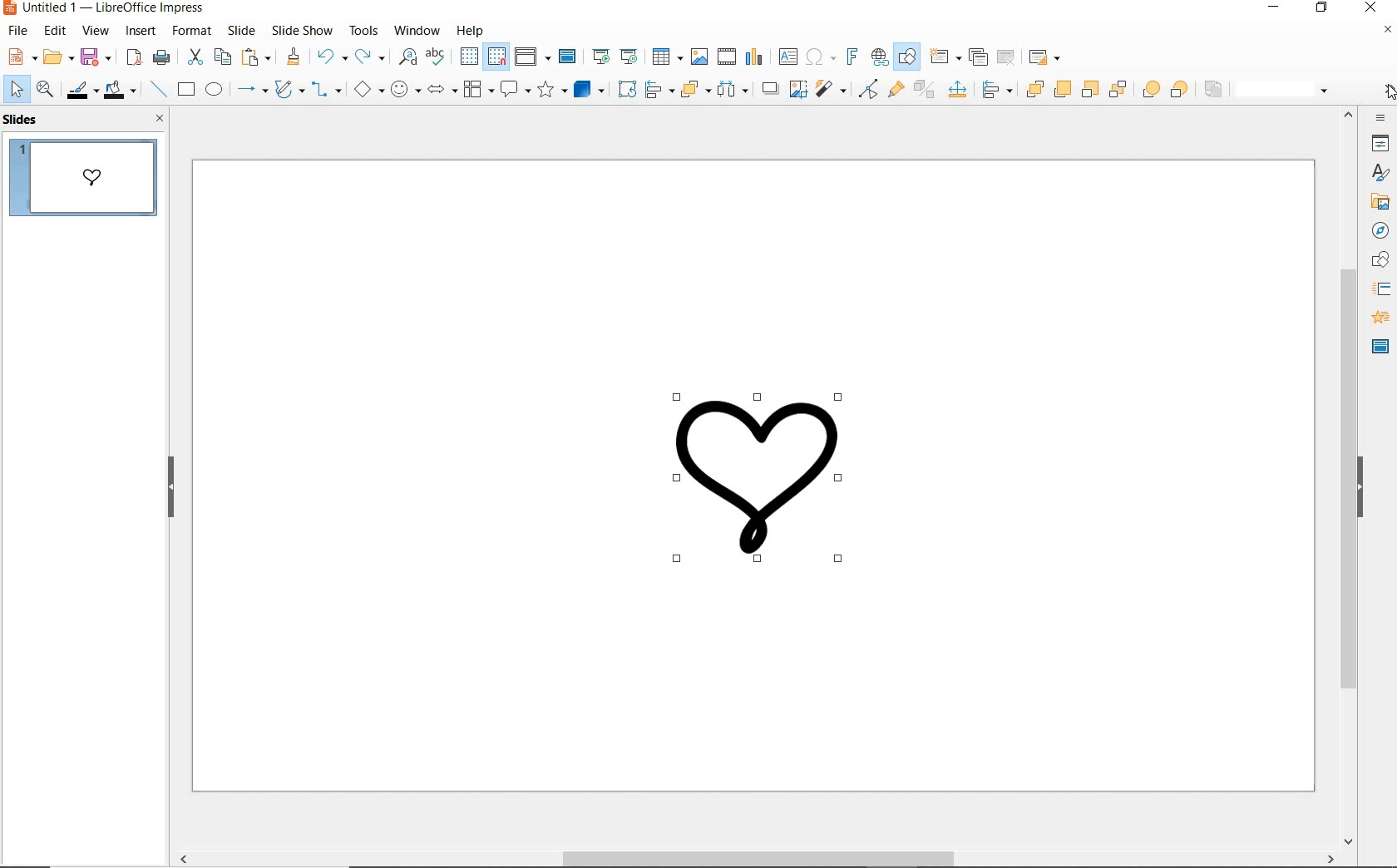 Image resolution: width=1397 pixels, height=868 pixels. I want to click on Close screen, so click(1388, 30).